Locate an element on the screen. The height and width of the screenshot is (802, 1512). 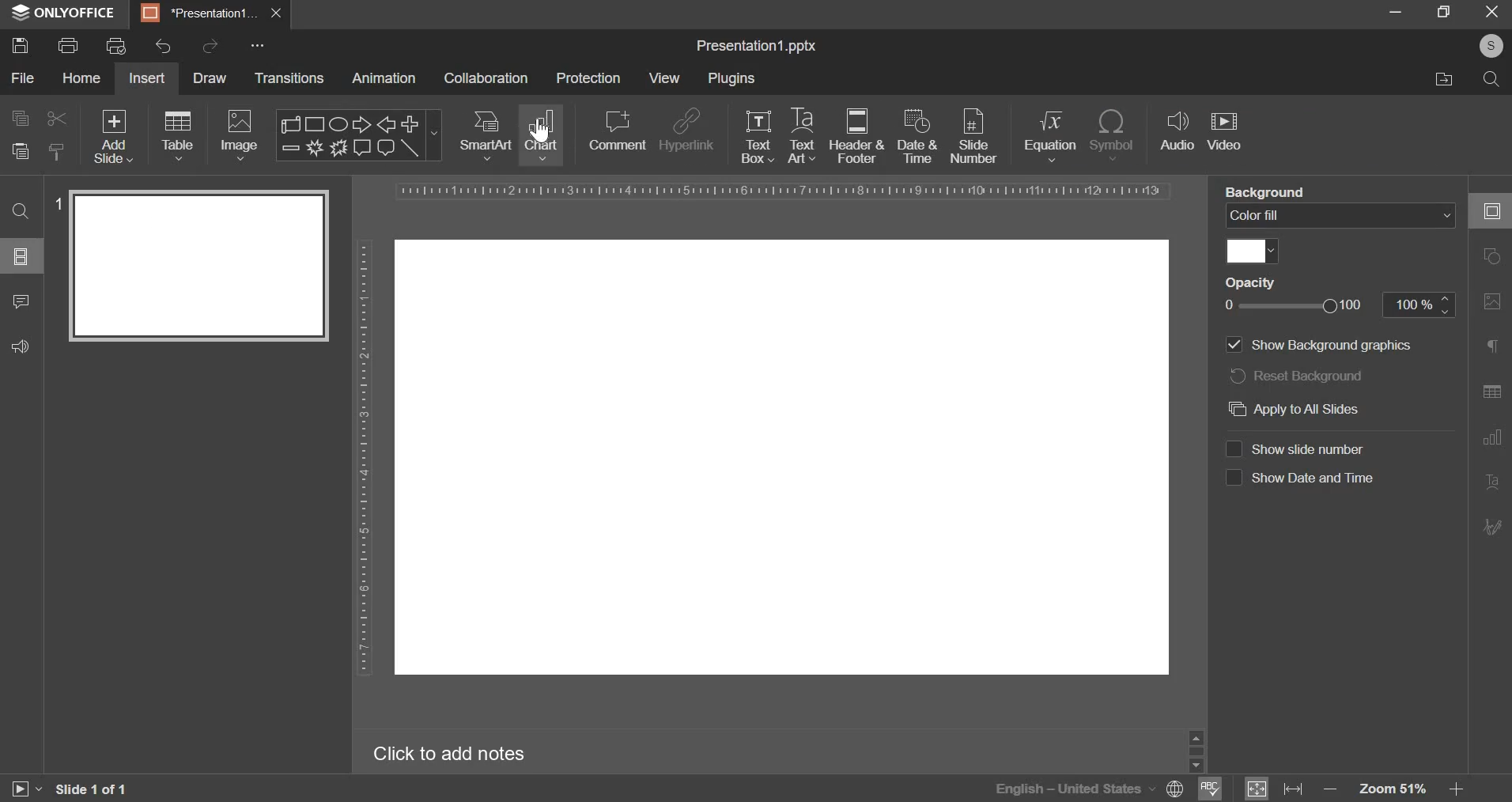
shapes is located at coordinates (358, 134).